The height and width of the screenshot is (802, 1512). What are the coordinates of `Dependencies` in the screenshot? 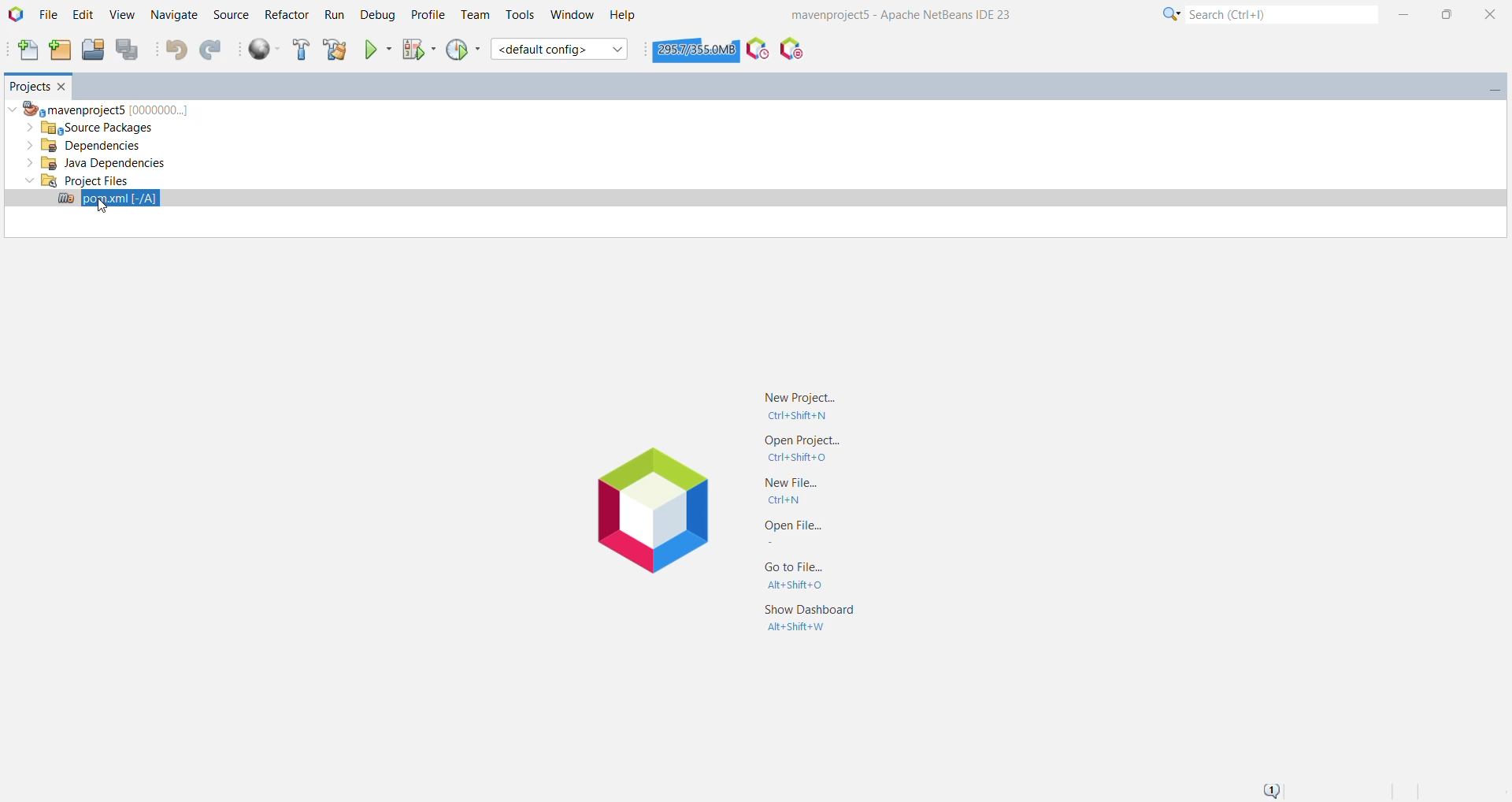 It's located at (88, 146).